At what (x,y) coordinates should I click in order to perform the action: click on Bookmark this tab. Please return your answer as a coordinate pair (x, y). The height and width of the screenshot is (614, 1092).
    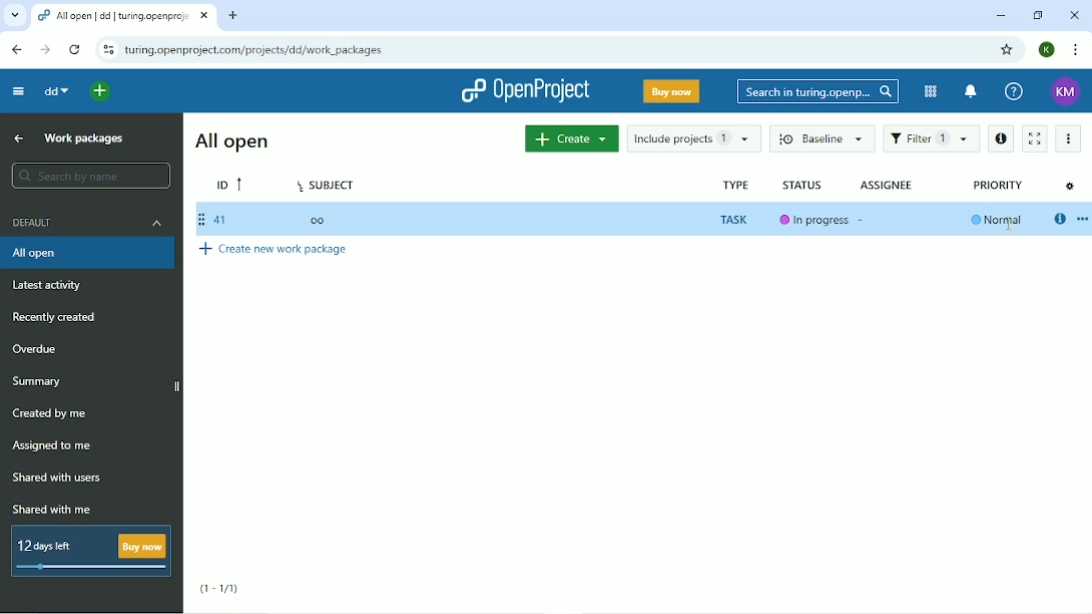
    Looking at the image, I should click on (1007, 50).